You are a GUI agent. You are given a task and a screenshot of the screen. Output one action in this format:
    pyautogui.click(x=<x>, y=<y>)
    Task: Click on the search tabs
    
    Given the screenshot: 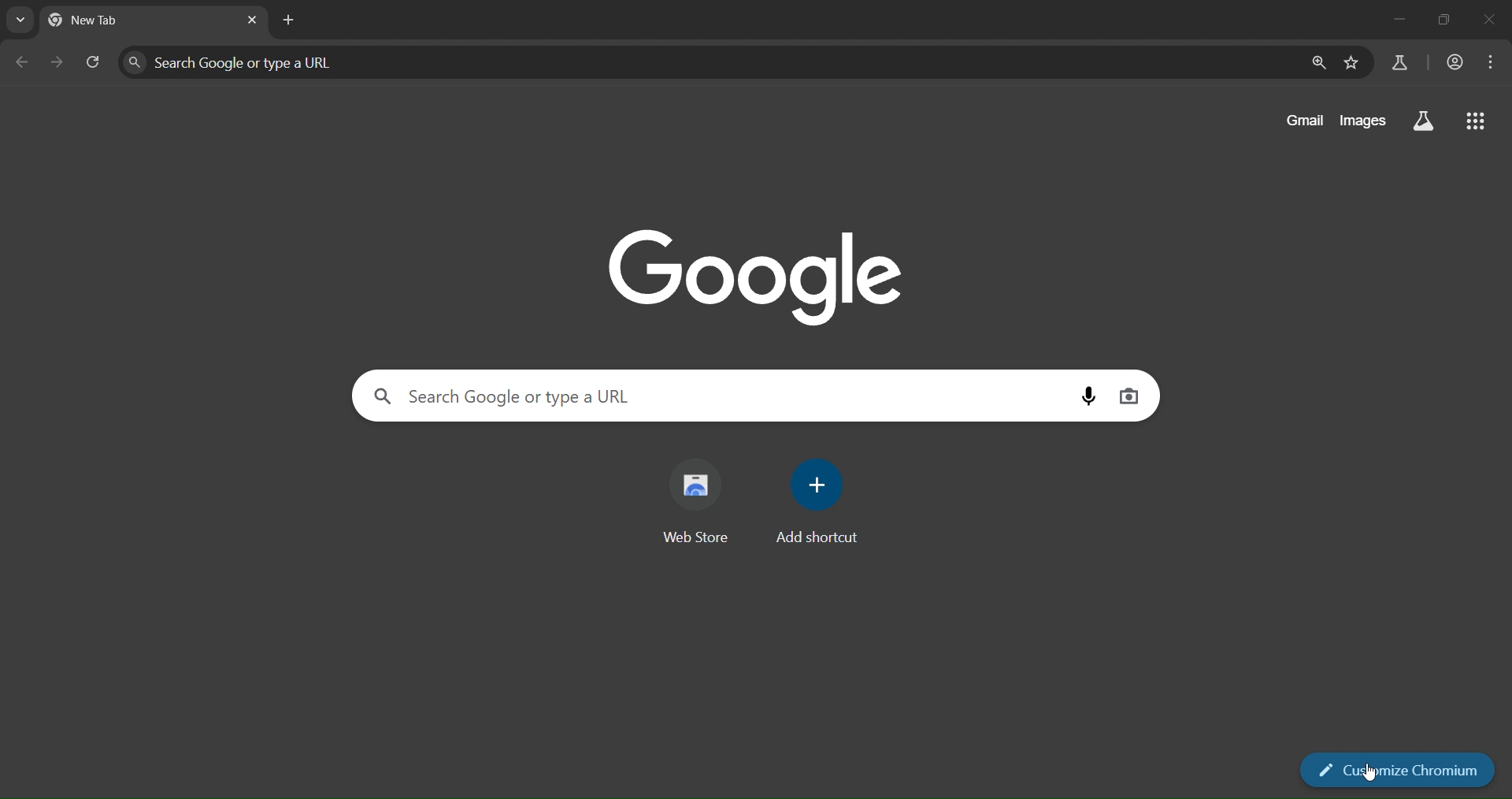 What is the action you would take?
    pyautogui.click(x=22, y=21)
    